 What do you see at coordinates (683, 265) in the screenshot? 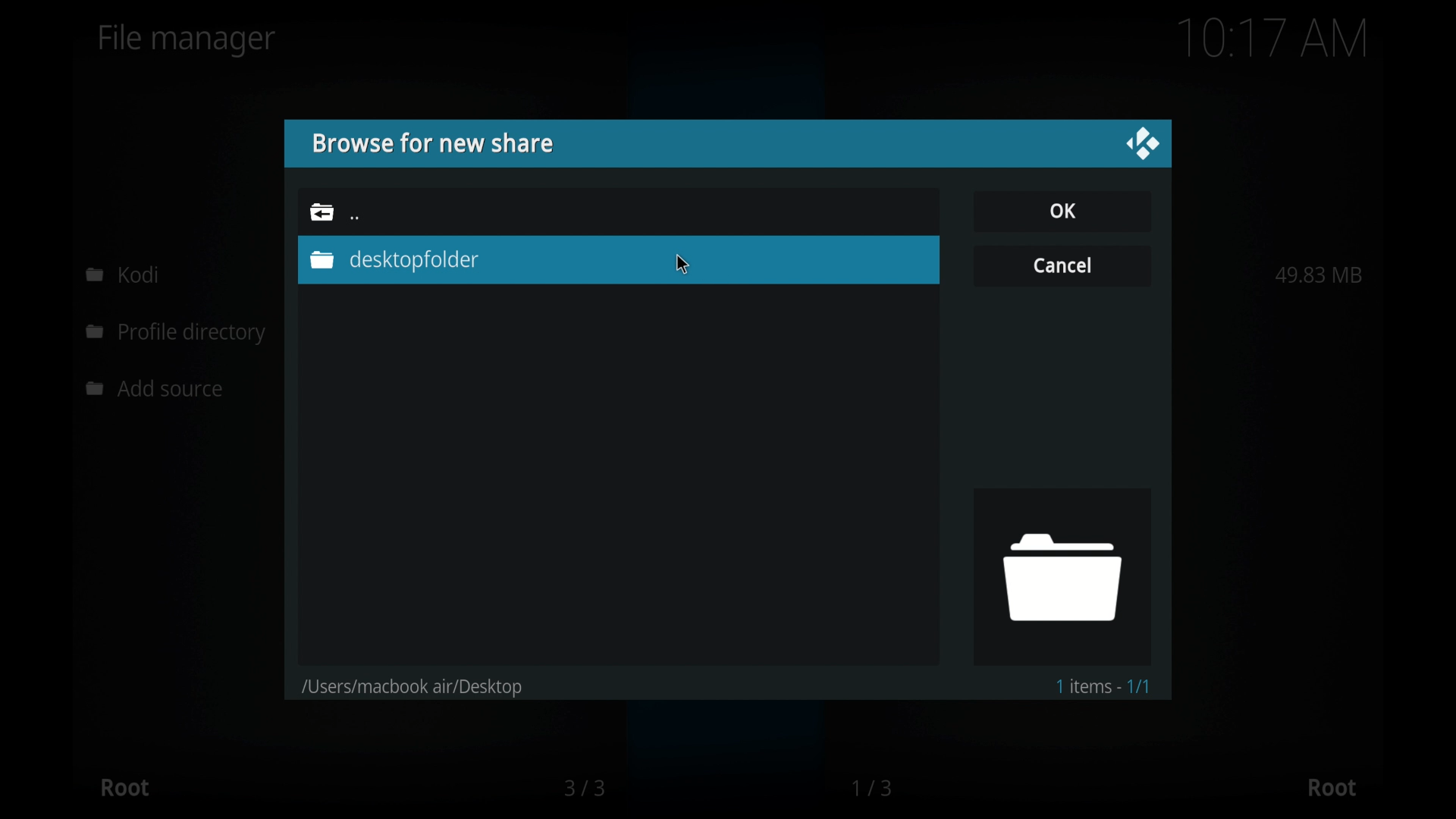
I see `cursor` at bounding box center [683, 265].